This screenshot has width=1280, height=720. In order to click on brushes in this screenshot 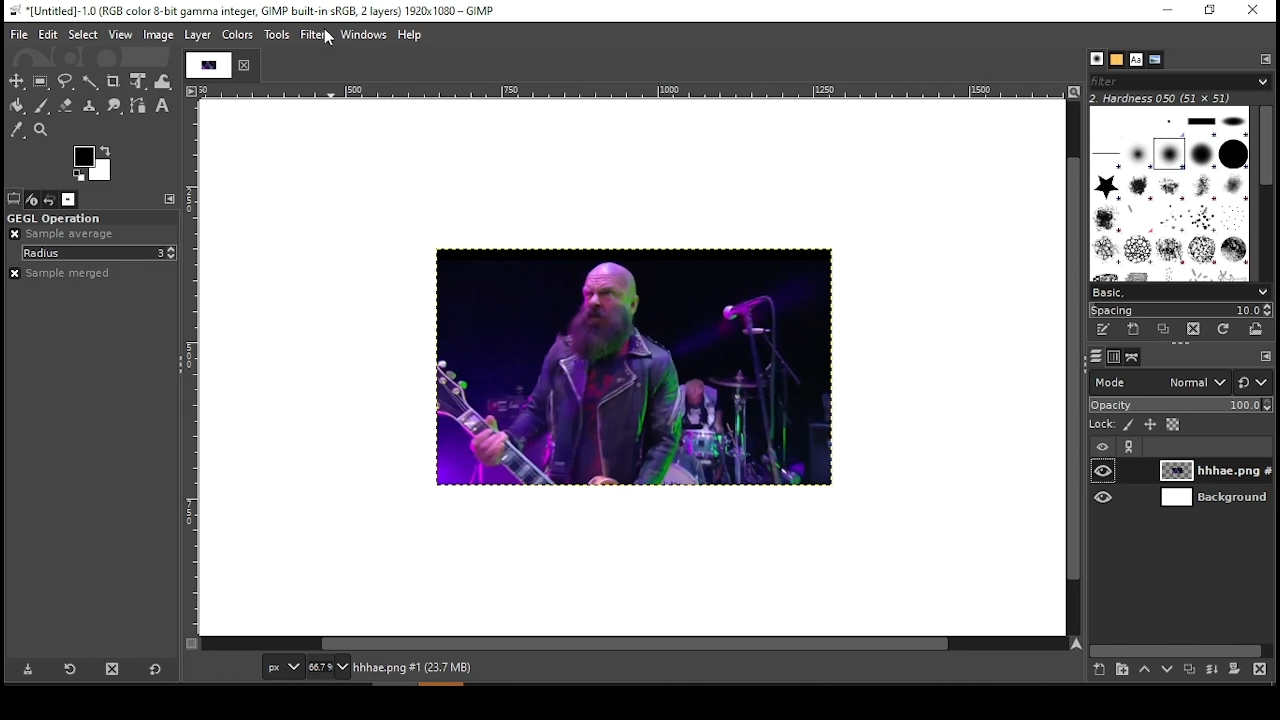, I will do `click(1171, 194)`.